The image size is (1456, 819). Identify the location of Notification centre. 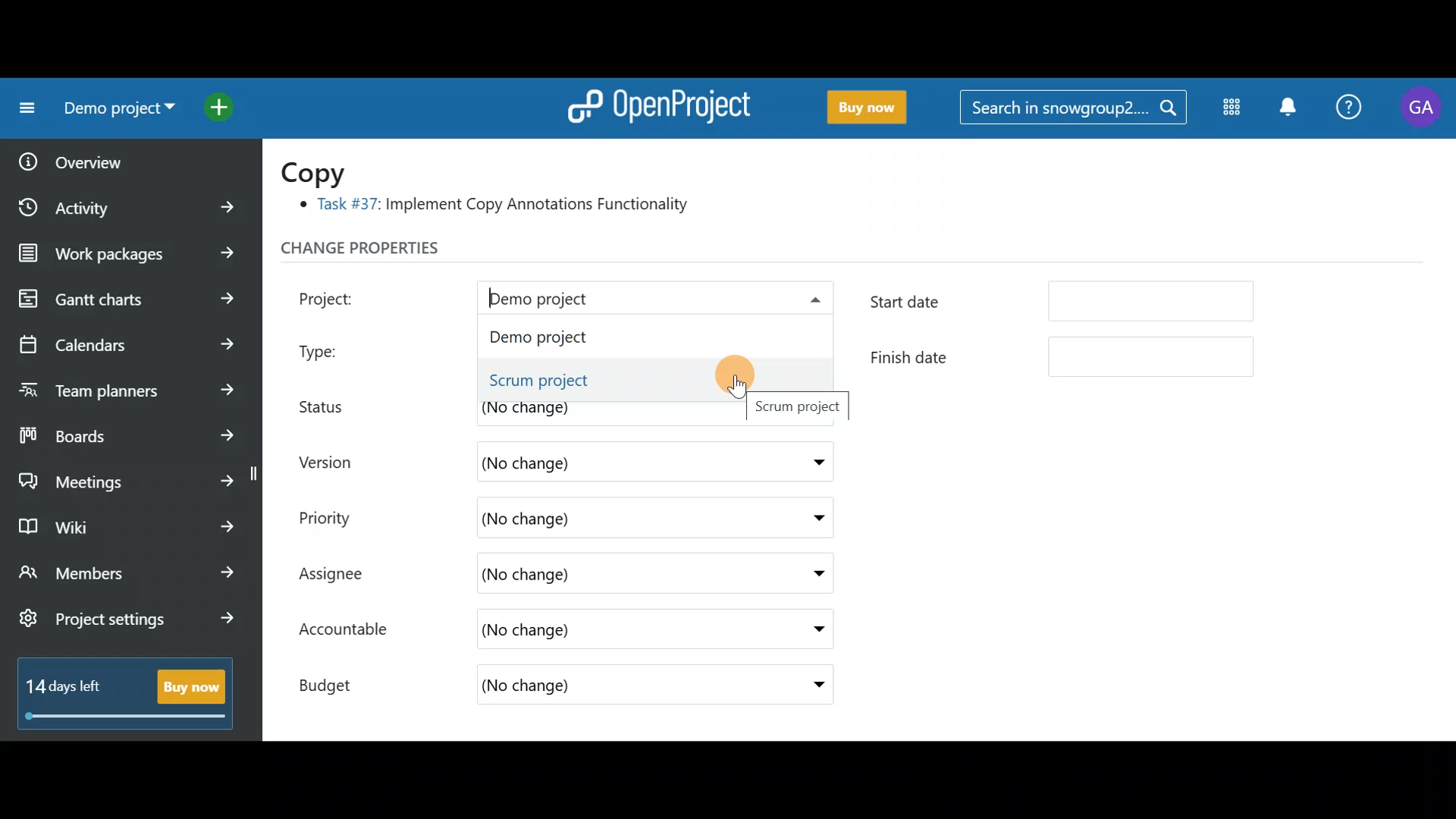
(1287, 108).